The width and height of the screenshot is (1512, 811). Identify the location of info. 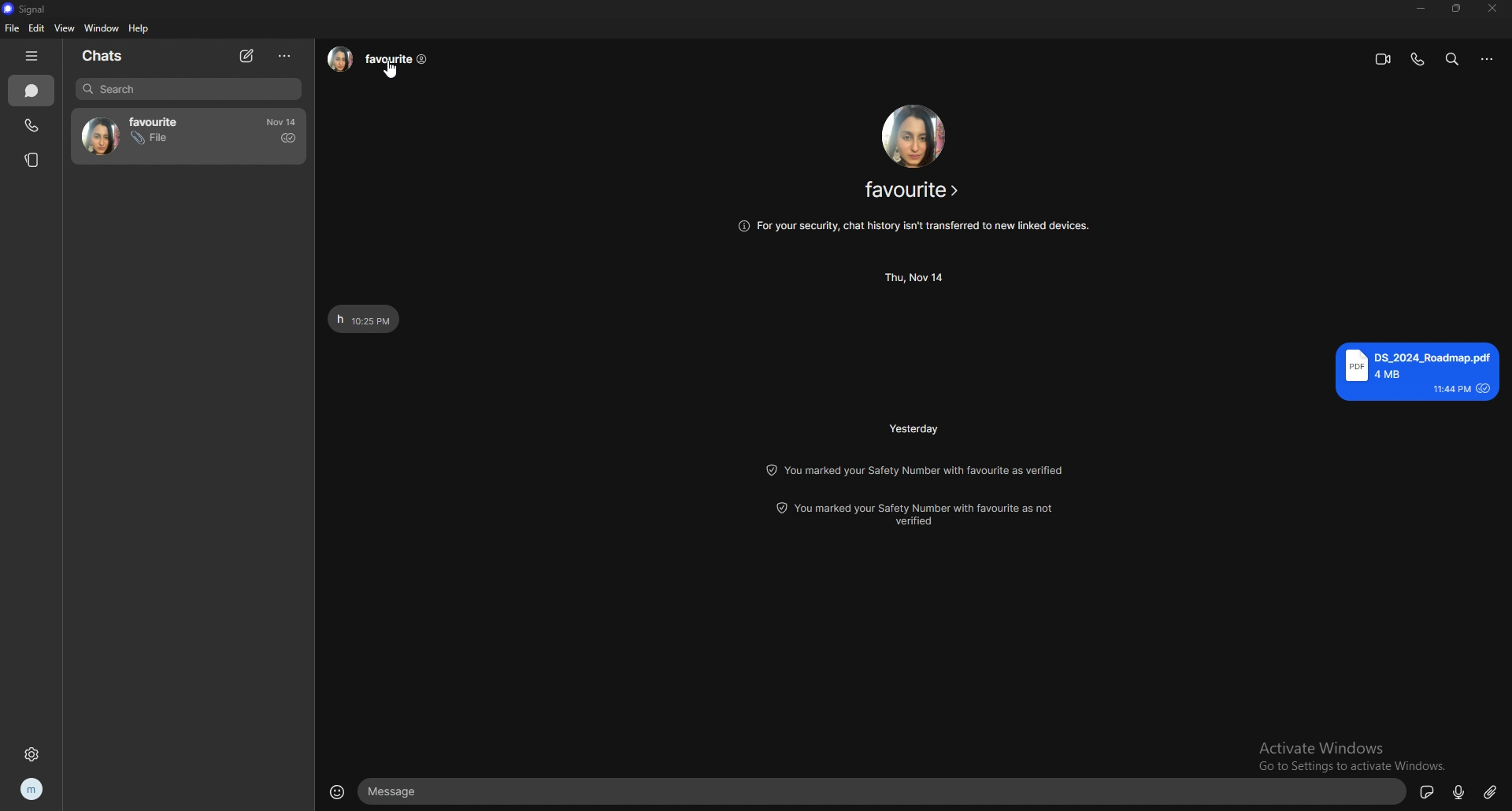
(913, 225).